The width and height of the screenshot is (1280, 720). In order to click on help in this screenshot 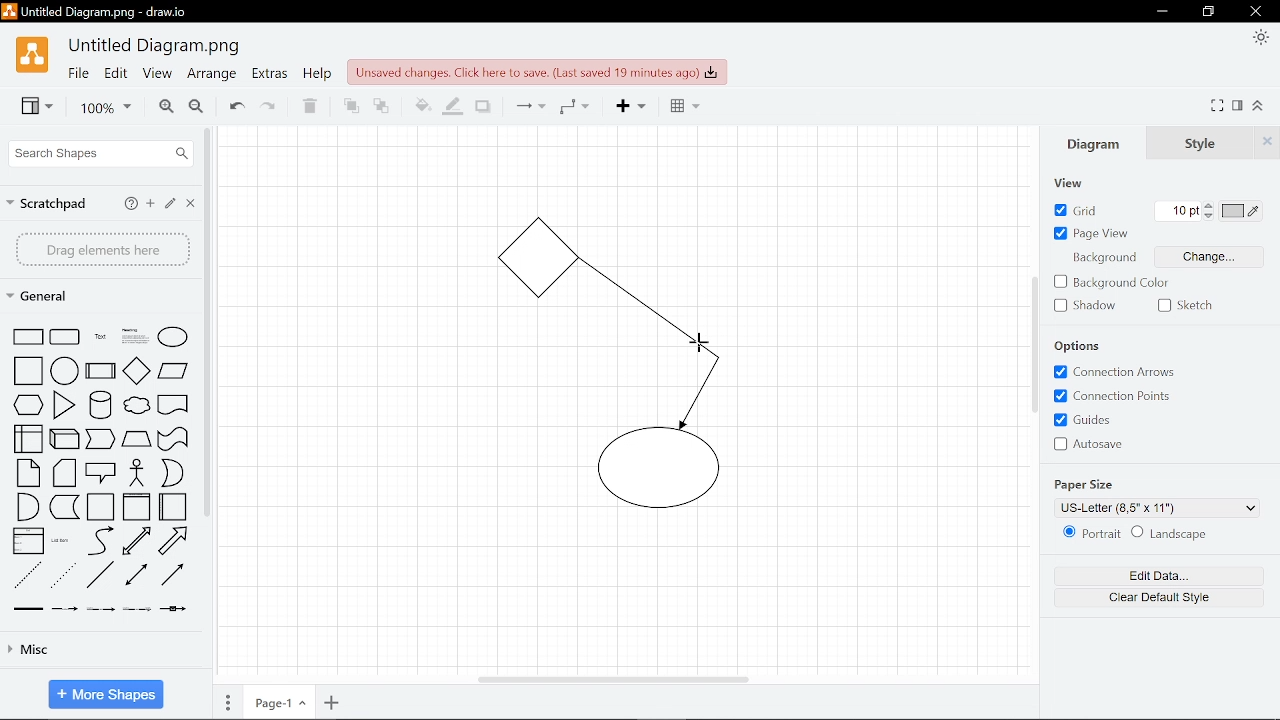, I will do `click(316, 76)`.